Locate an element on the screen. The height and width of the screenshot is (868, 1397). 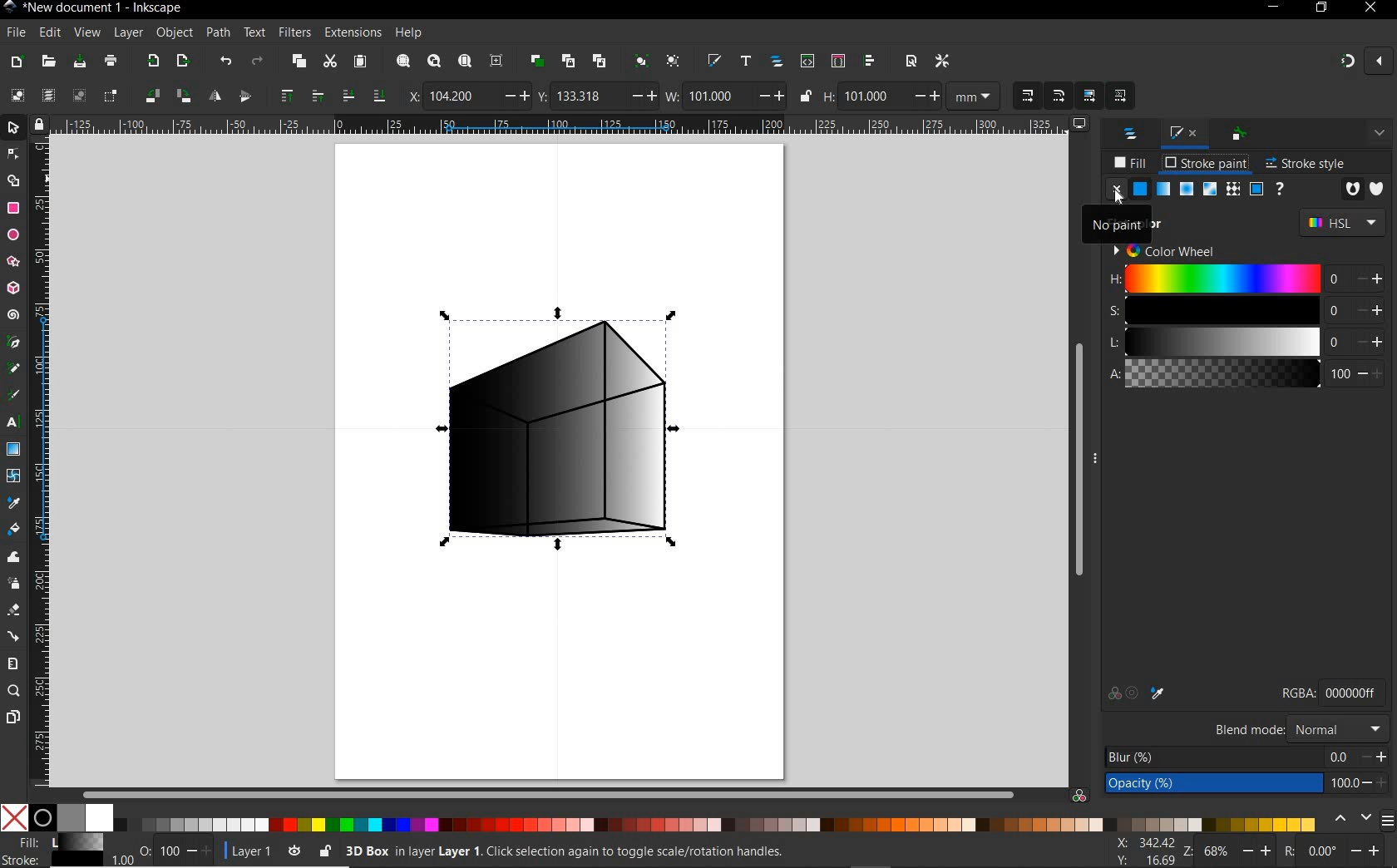
HELP is located at coordinates (411, 32).